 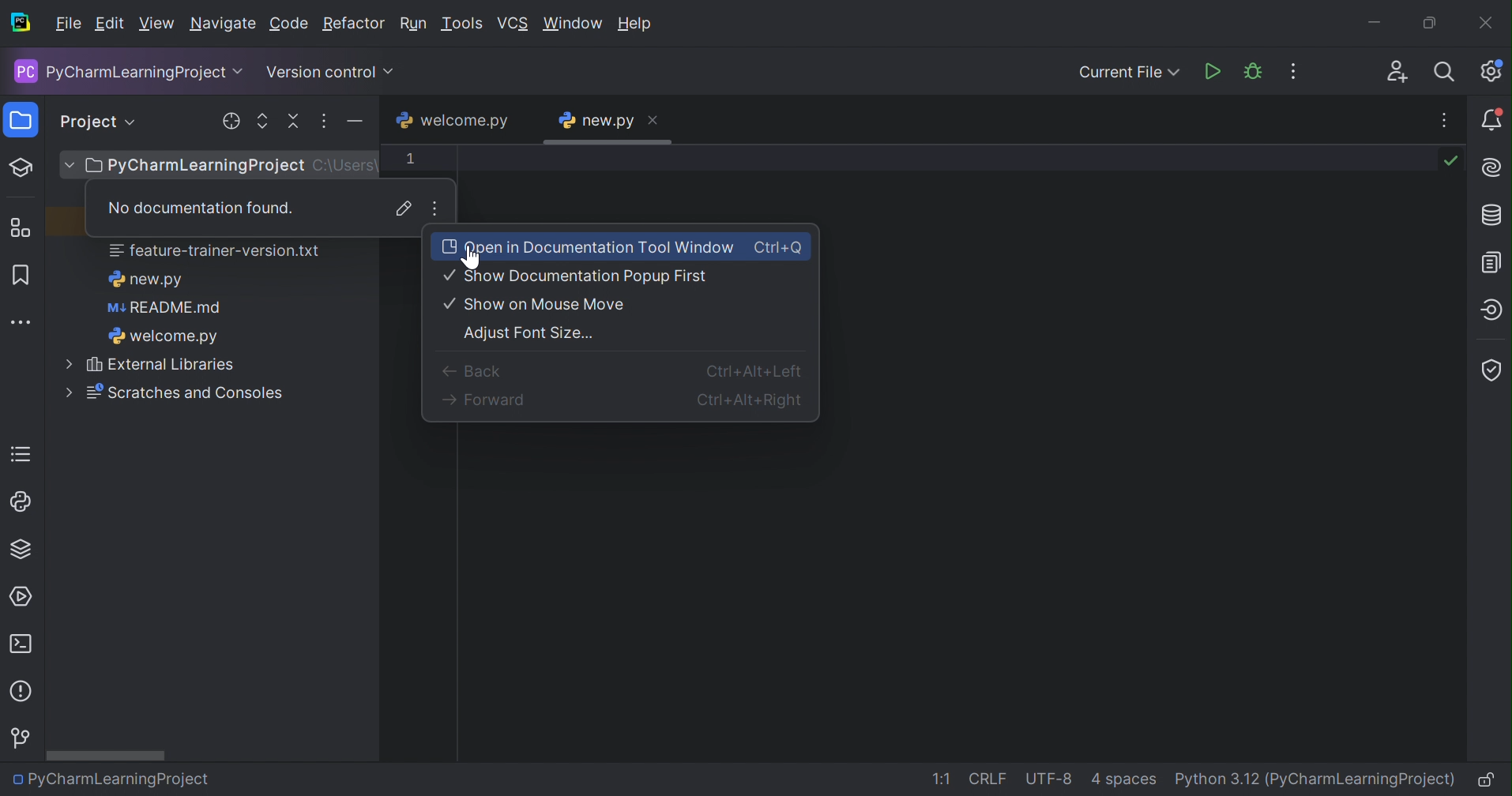 What do you see at coordinates (1397, 71) in the screenshot?
I see `Code With Me` at bounding box center [1397, 71].